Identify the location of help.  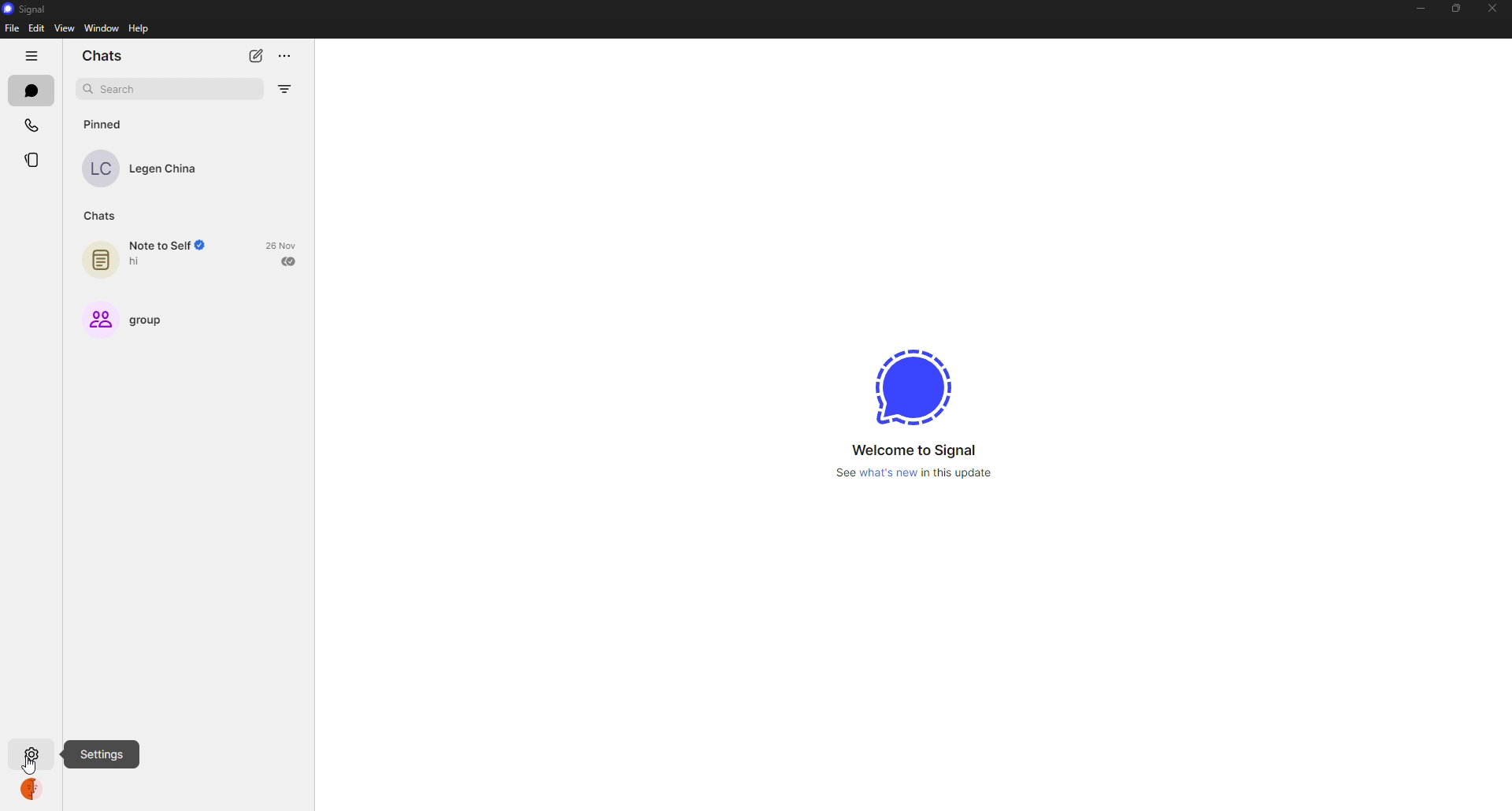
(141, 28).